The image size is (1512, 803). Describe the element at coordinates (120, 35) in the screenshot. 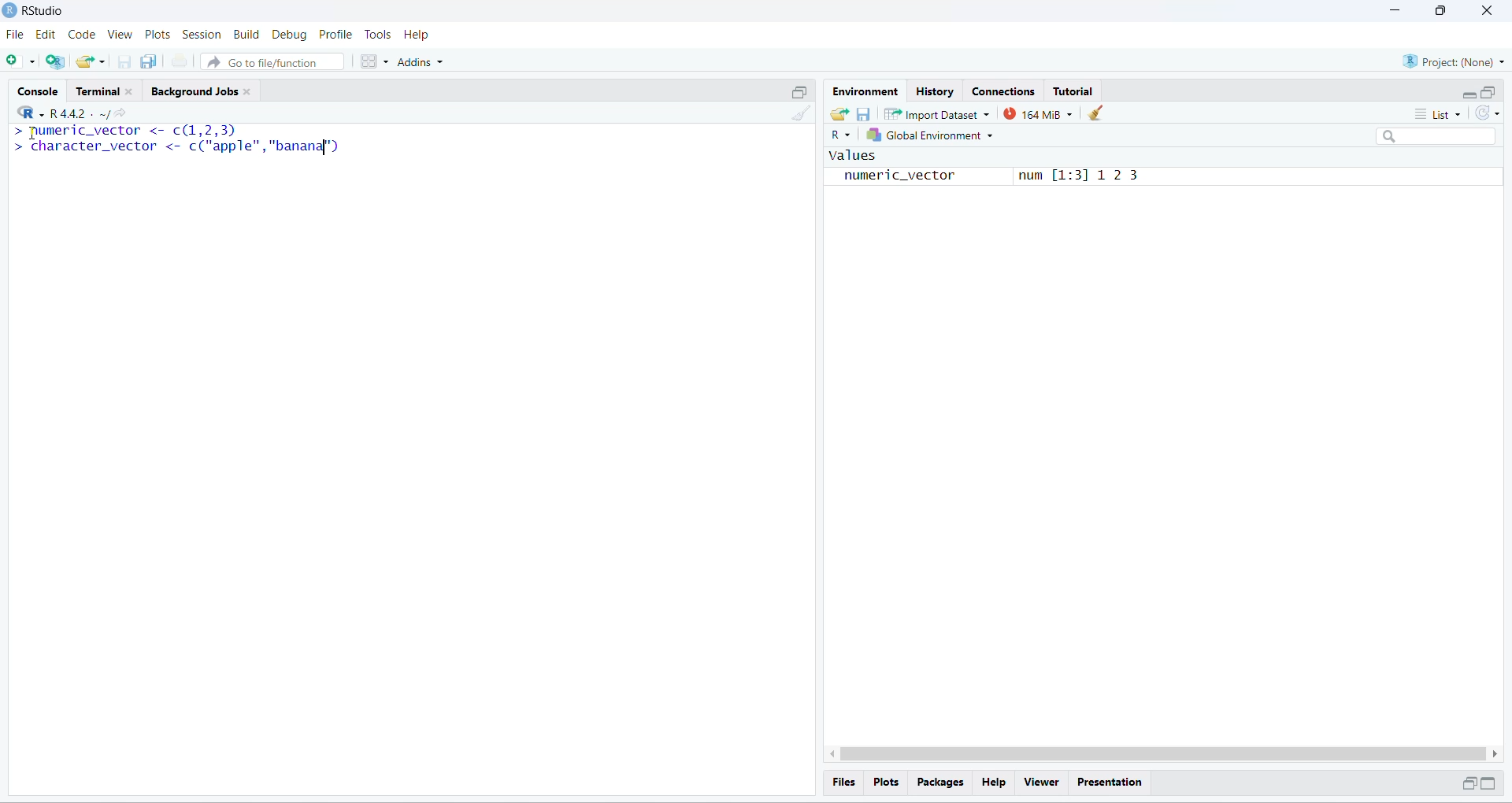

I see `View` at that location.